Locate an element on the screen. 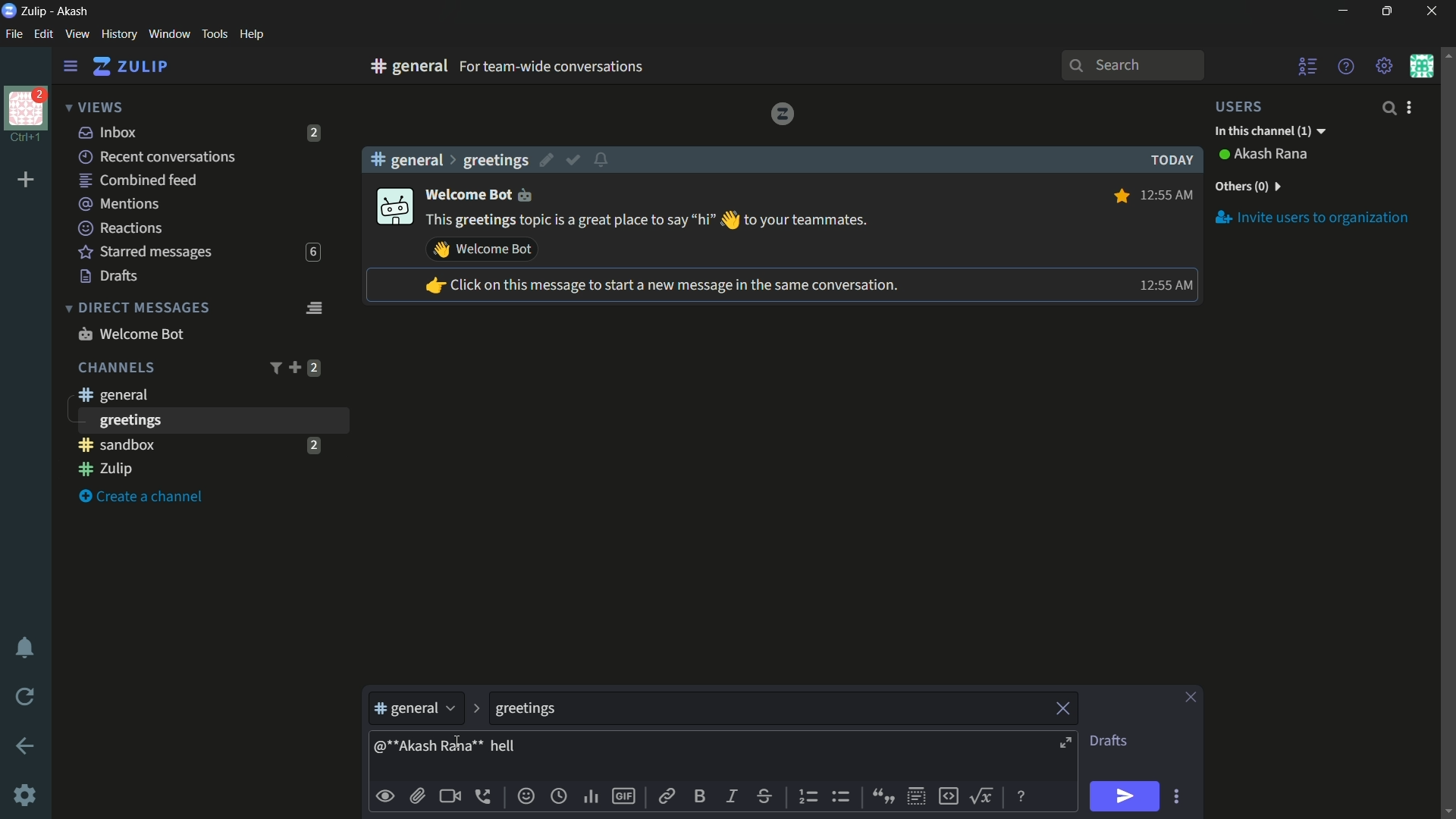 Image resolution: width=1456 pixels, height=819 pixels. mentions is located at coordinates (121, 205).